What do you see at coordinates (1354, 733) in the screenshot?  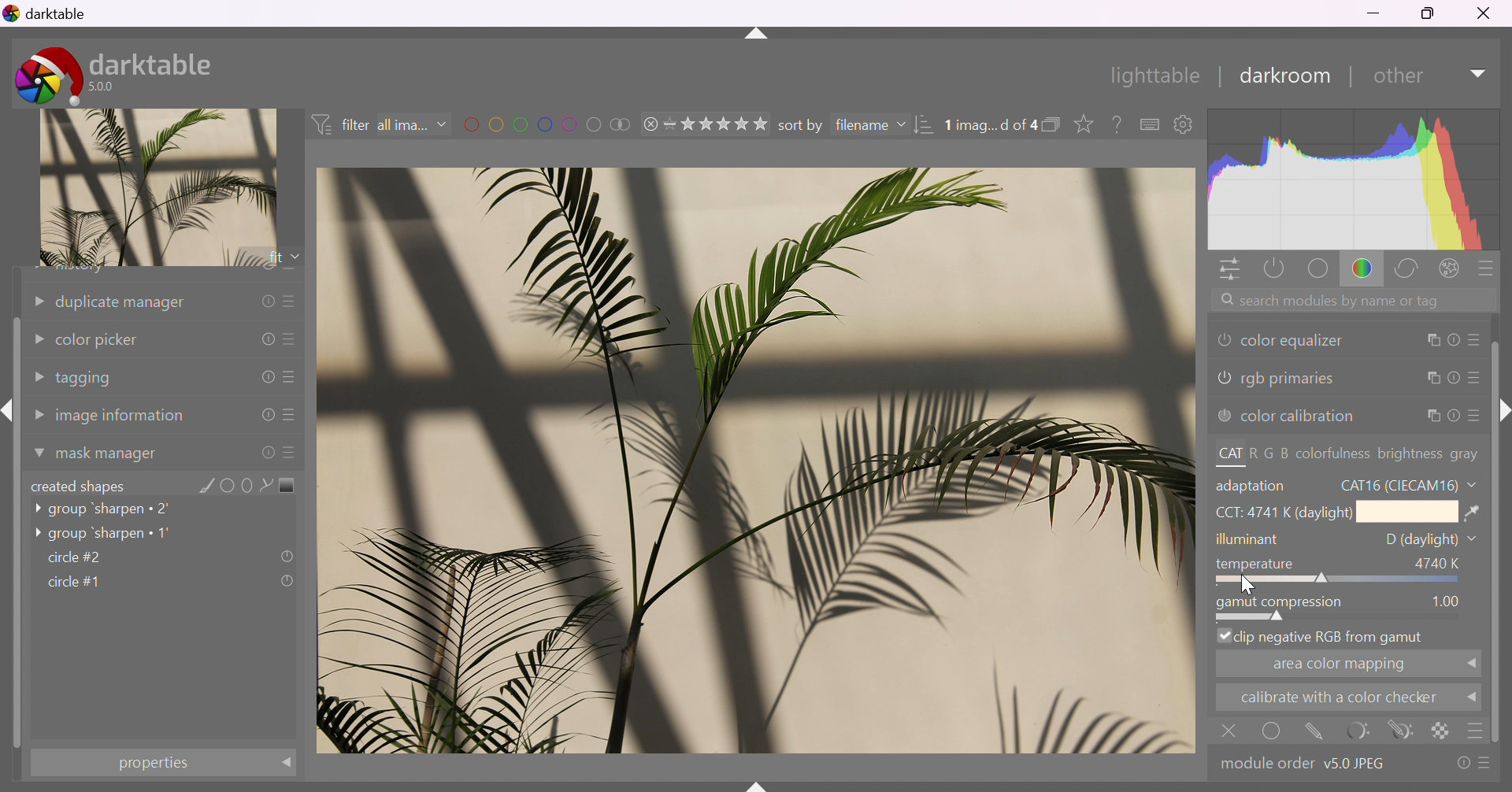 I see `reset` at bounding box center [1354, 733].